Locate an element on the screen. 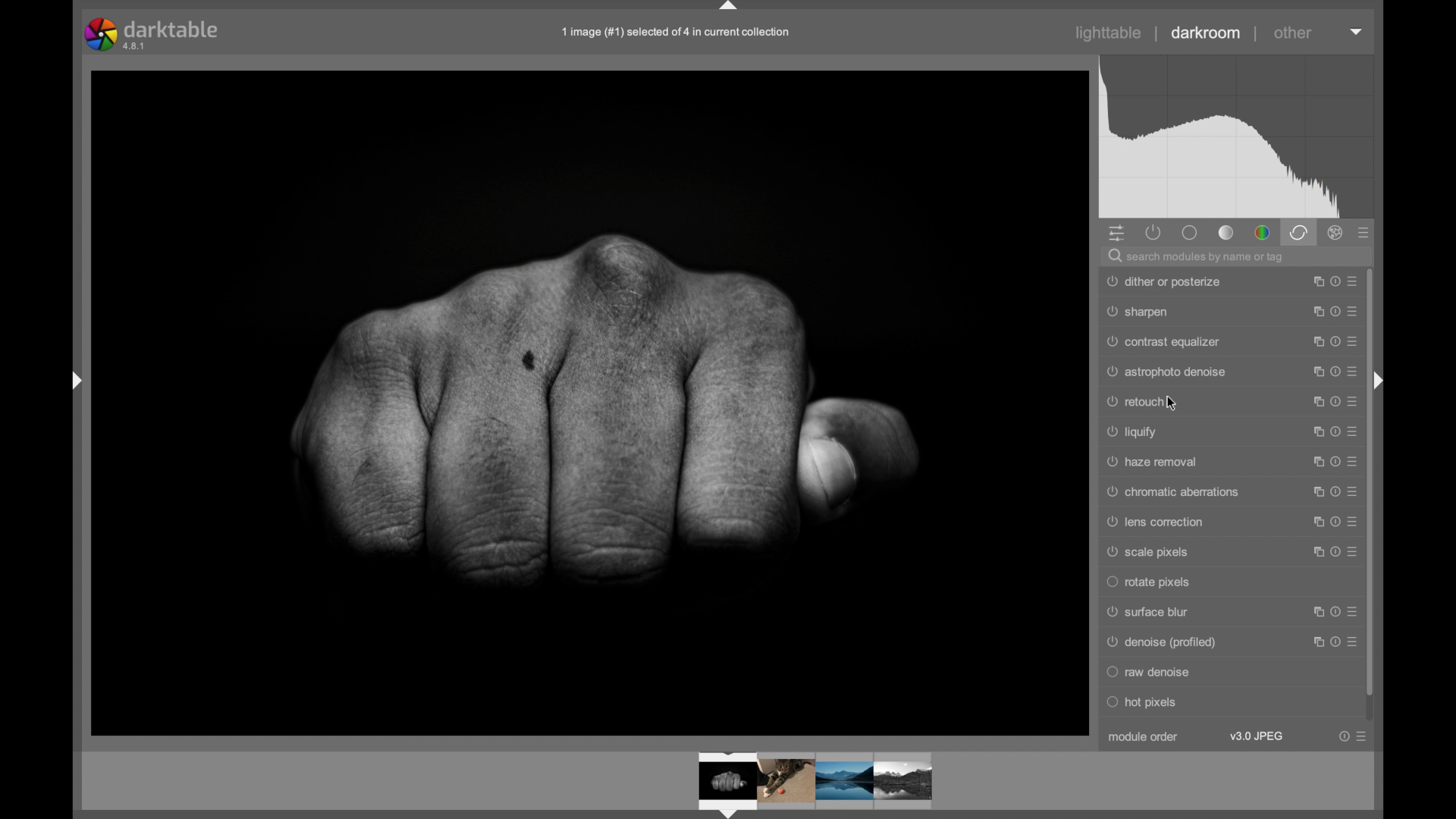 Image resolution: width=1456 pixels, height=819 pixels. more options is located at coordinates (1351, 403).